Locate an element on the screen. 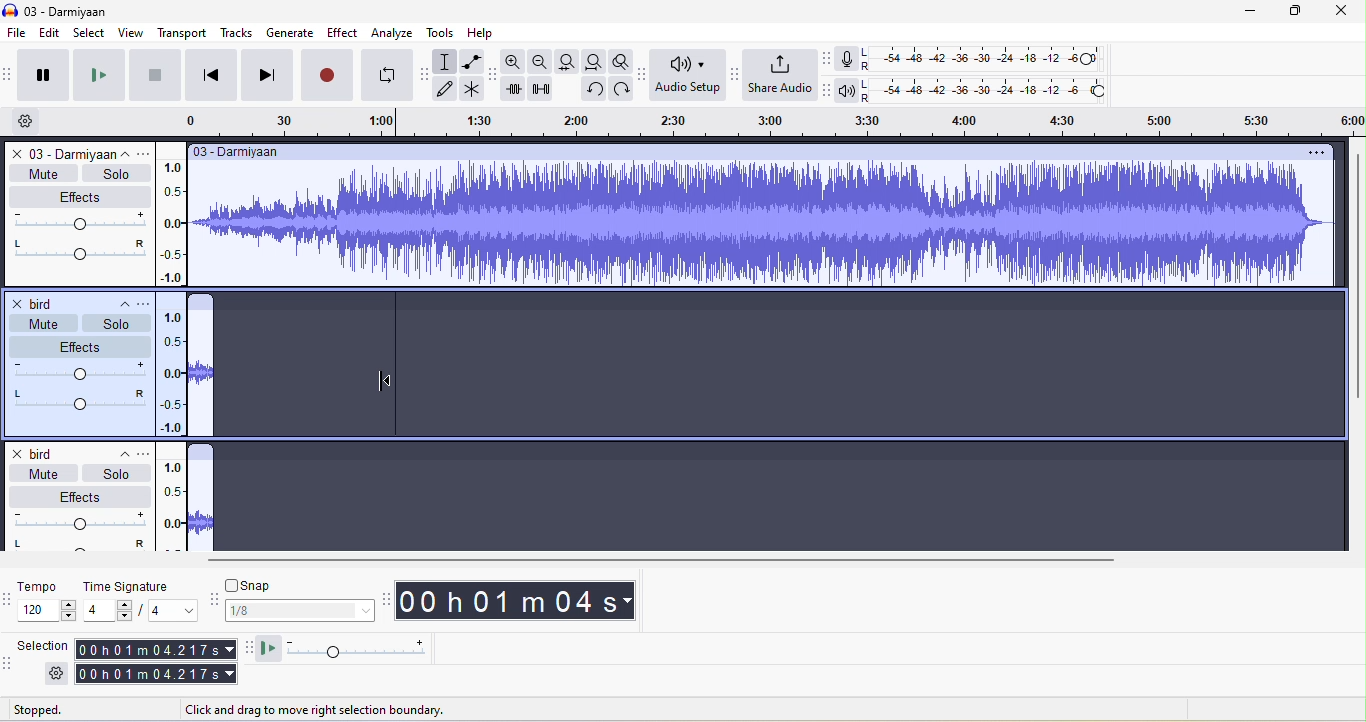 This screenshot has width=1366, height=722. play is located at coordinates (96, 76).